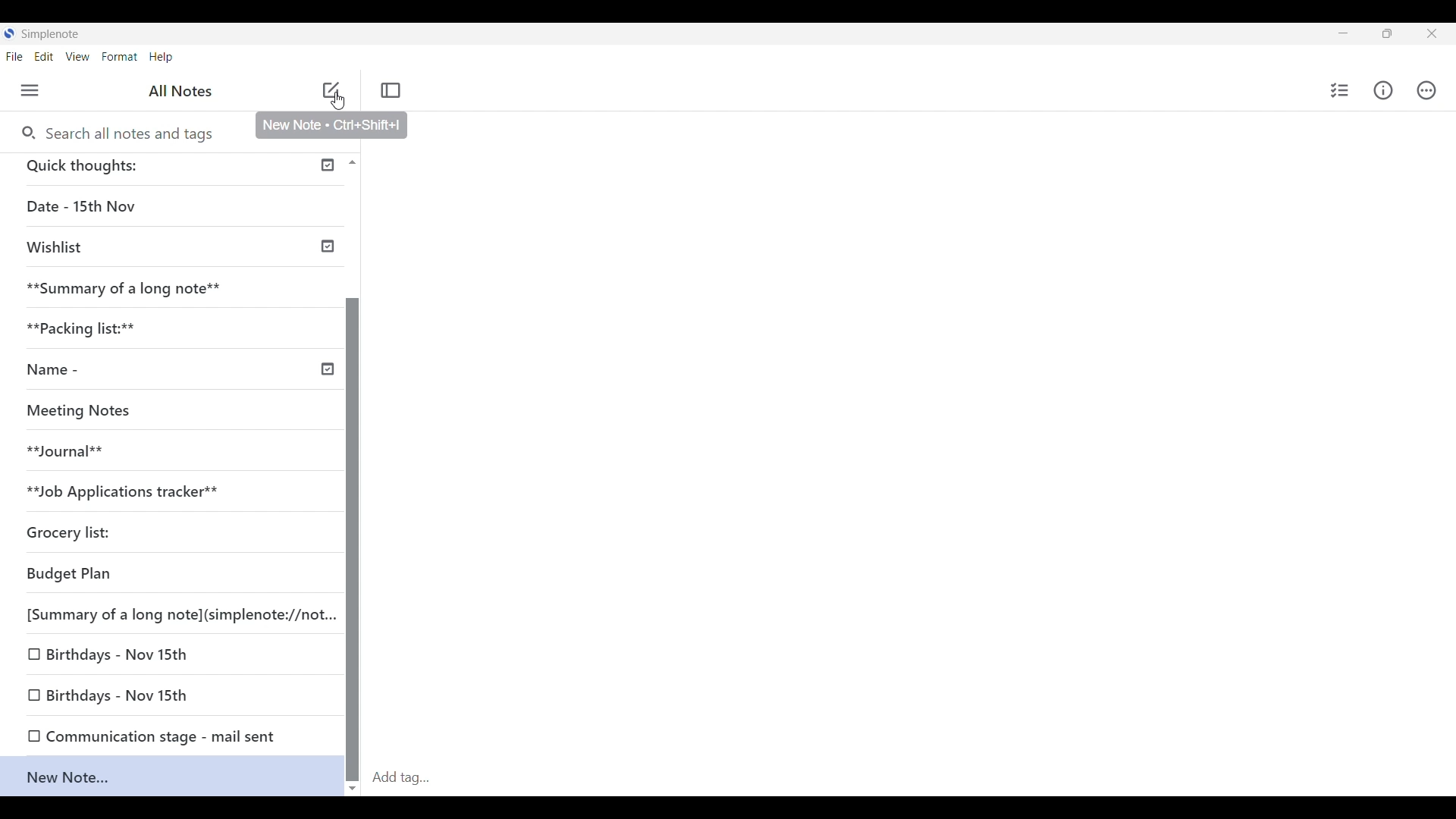 This screenshot has height=819, width=1456. I want to click on **Summary of a long note**, so click(172, 288).